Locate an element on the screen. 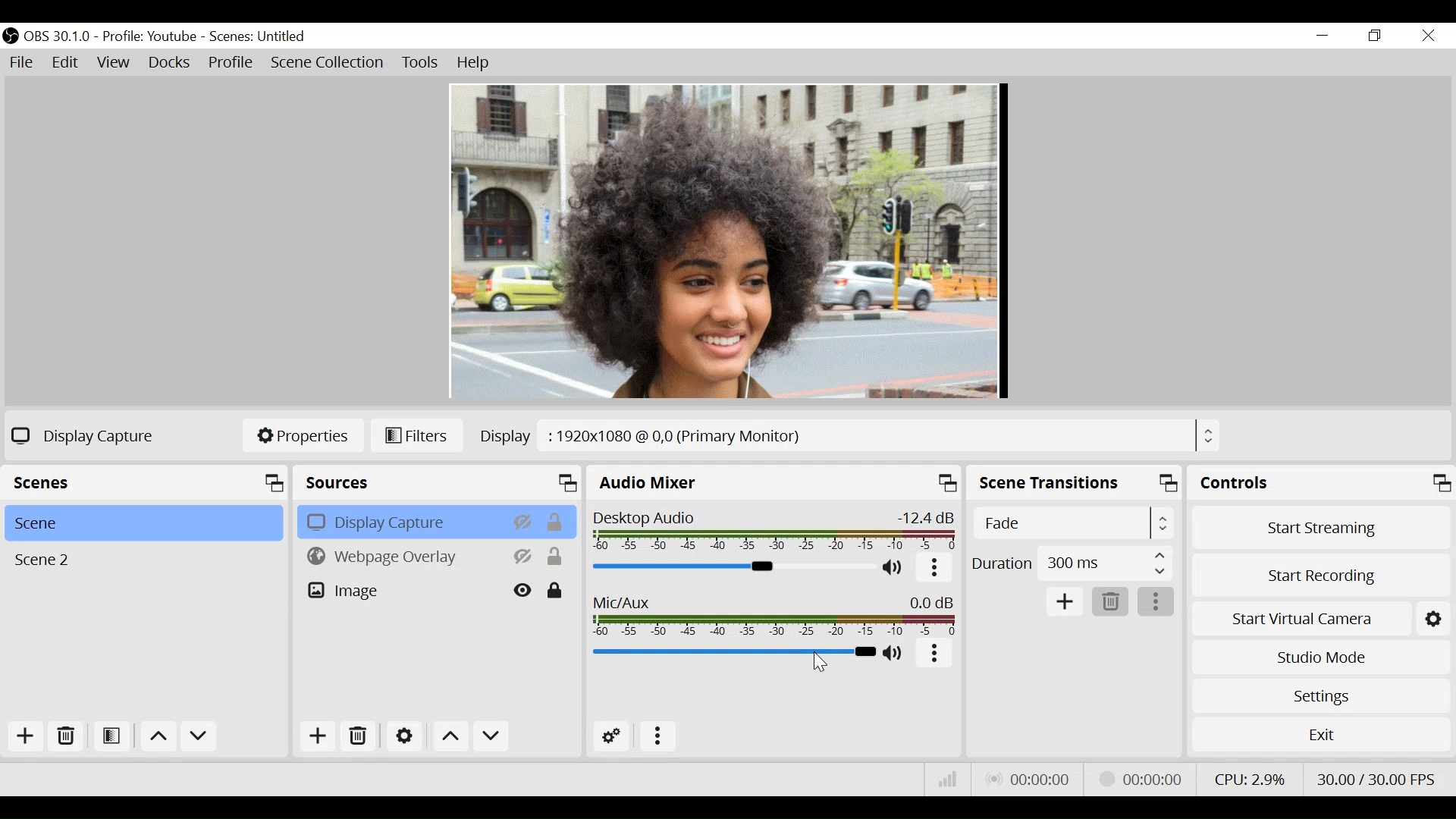 The height and width of the screenshot is (819, 1456). Audio Mixer is located at coordinates (777, 482).